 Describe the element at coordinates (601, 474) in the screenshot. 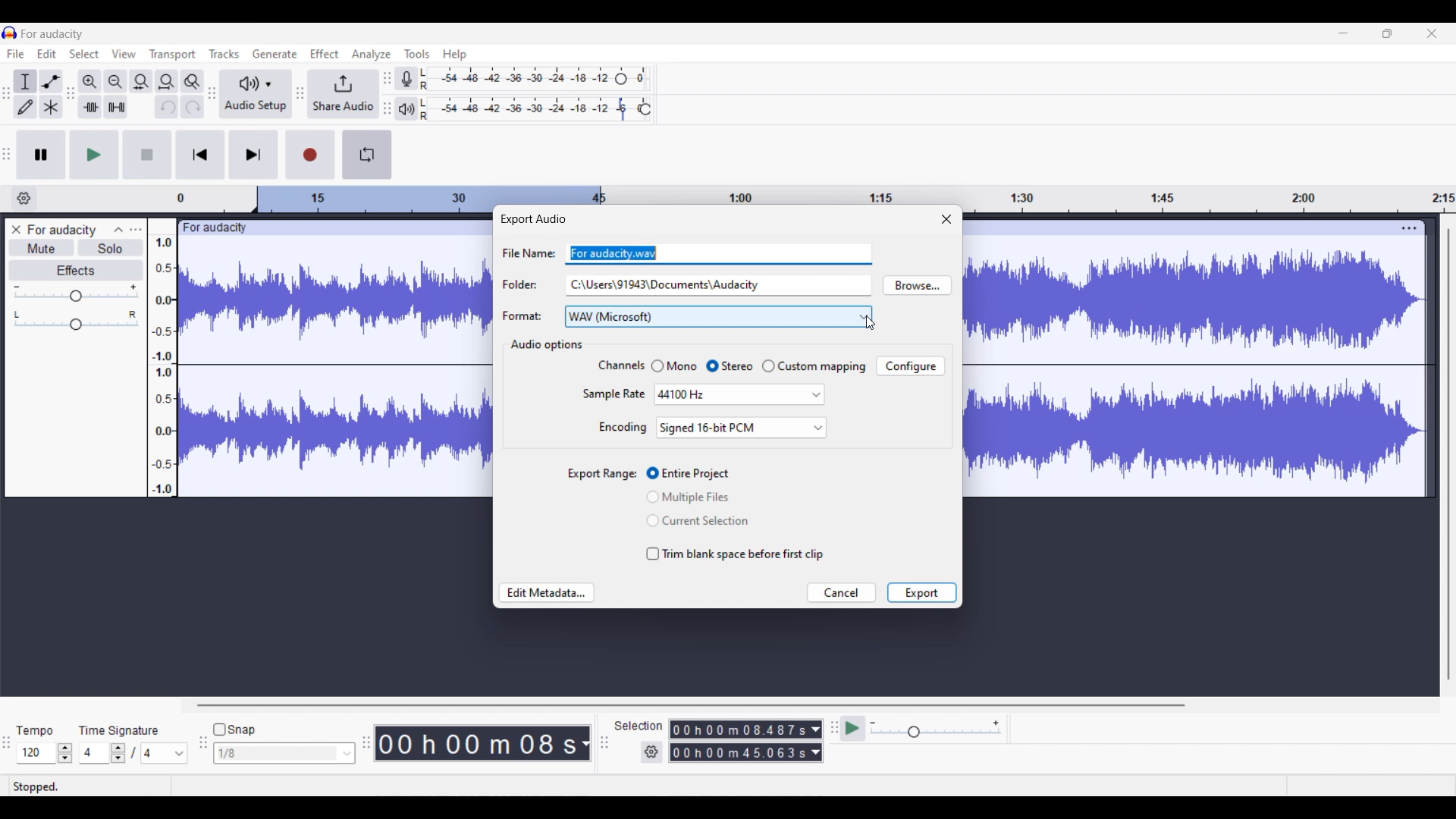

I see `Indicates toggle settings for export range` at that location.